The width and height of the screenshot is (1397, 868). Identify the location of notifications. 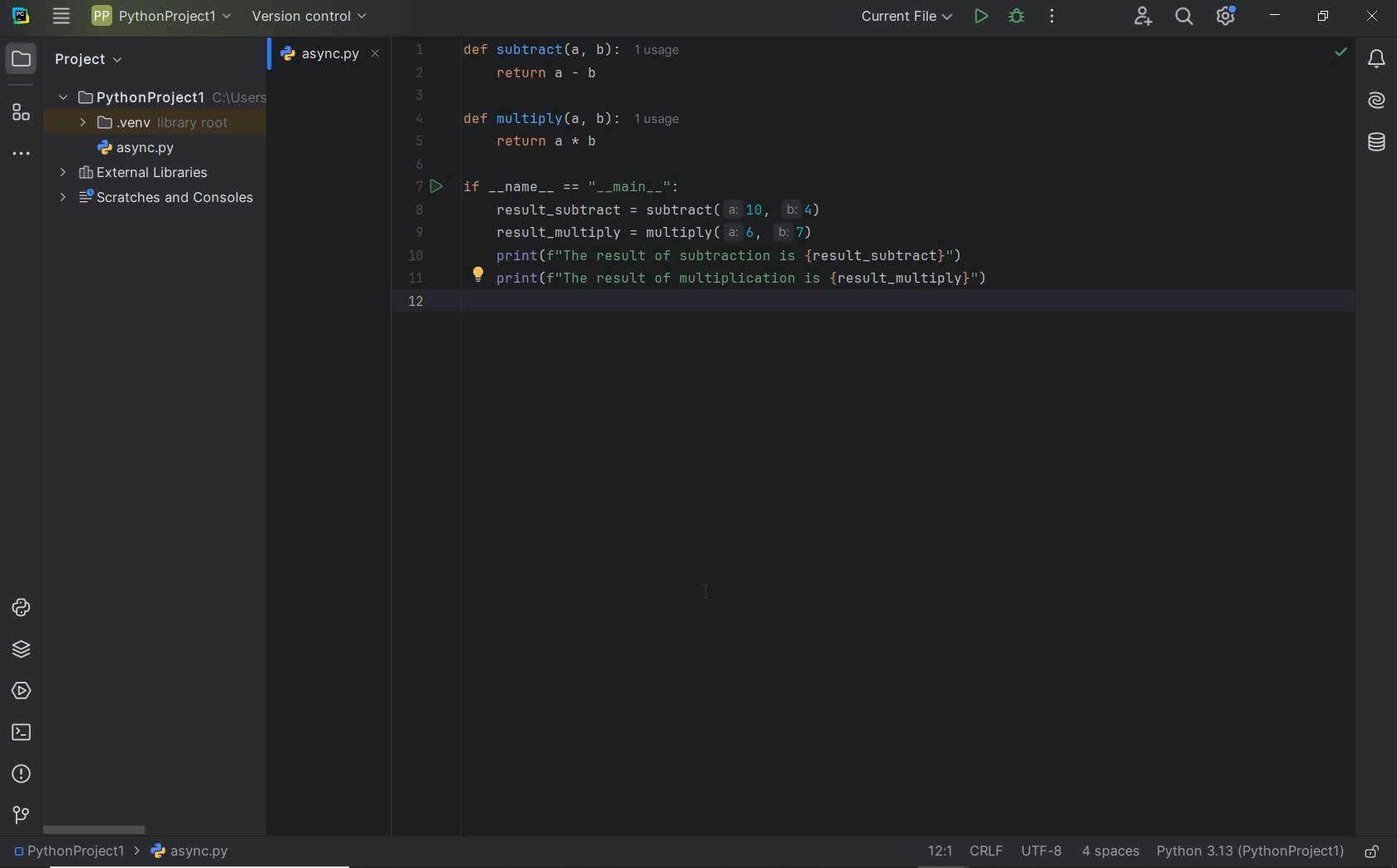
(1377, 60).